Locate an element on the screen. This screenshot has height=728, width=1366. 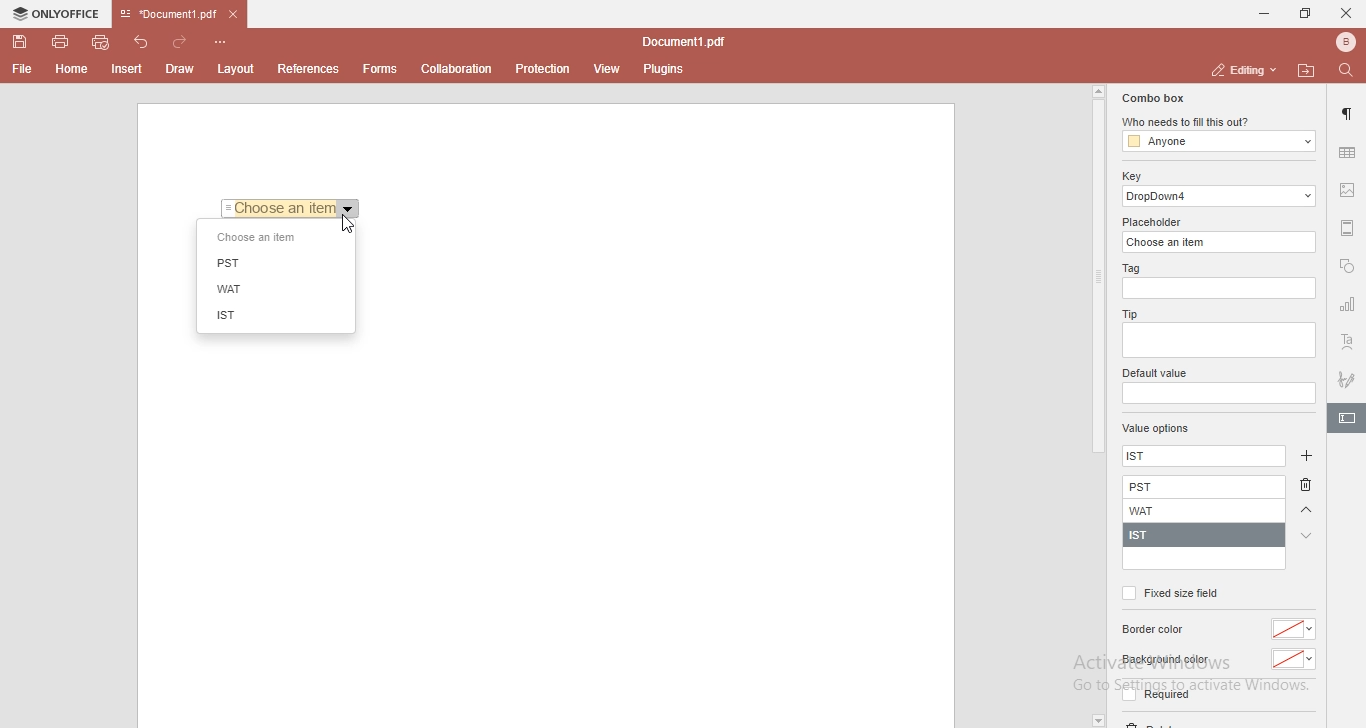
restore is located at coordinates (1304, 14).